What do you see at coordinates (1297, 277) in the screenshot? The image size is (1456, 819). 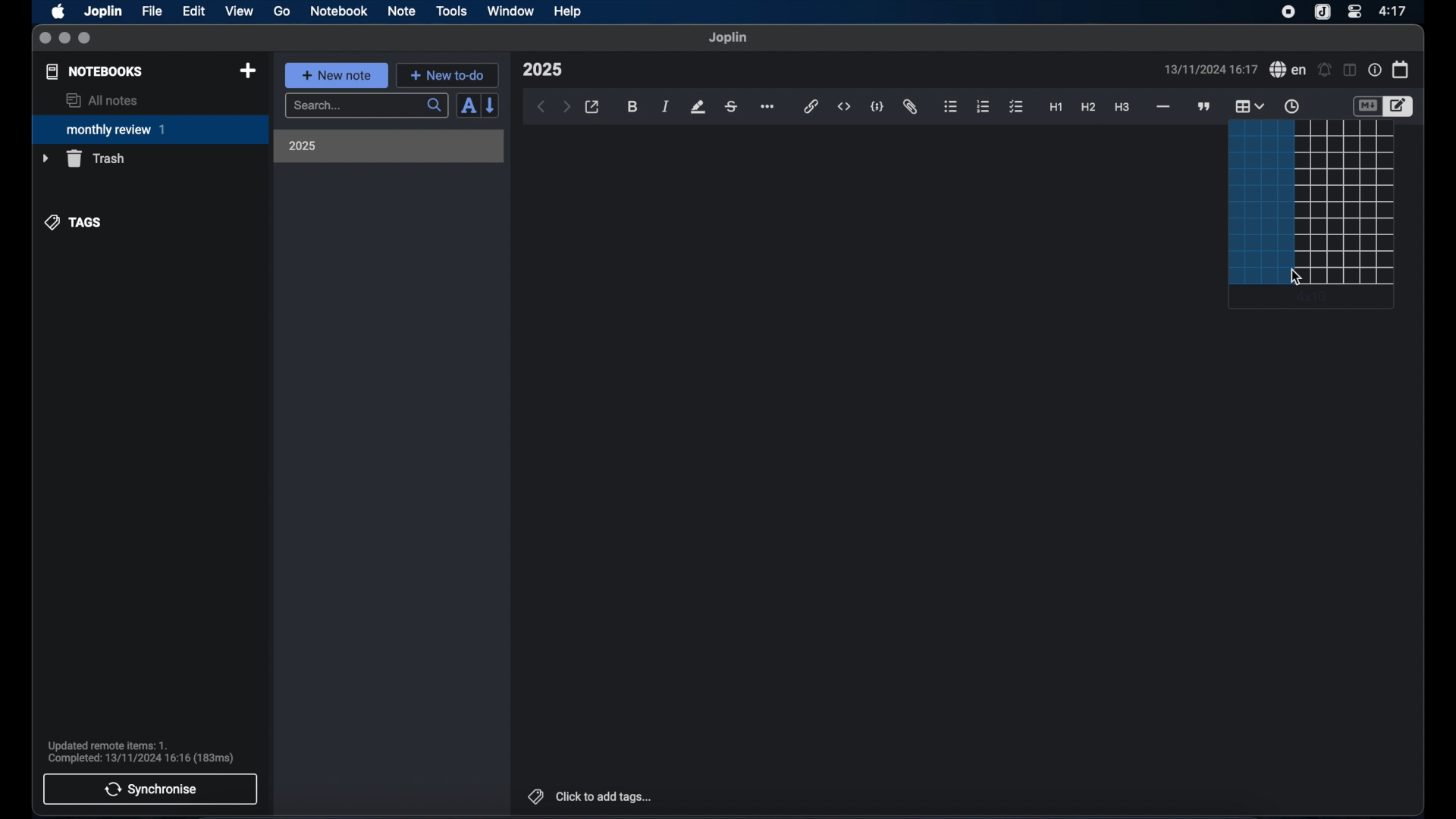 I see `cursor` at bounding box center [1297, 277].